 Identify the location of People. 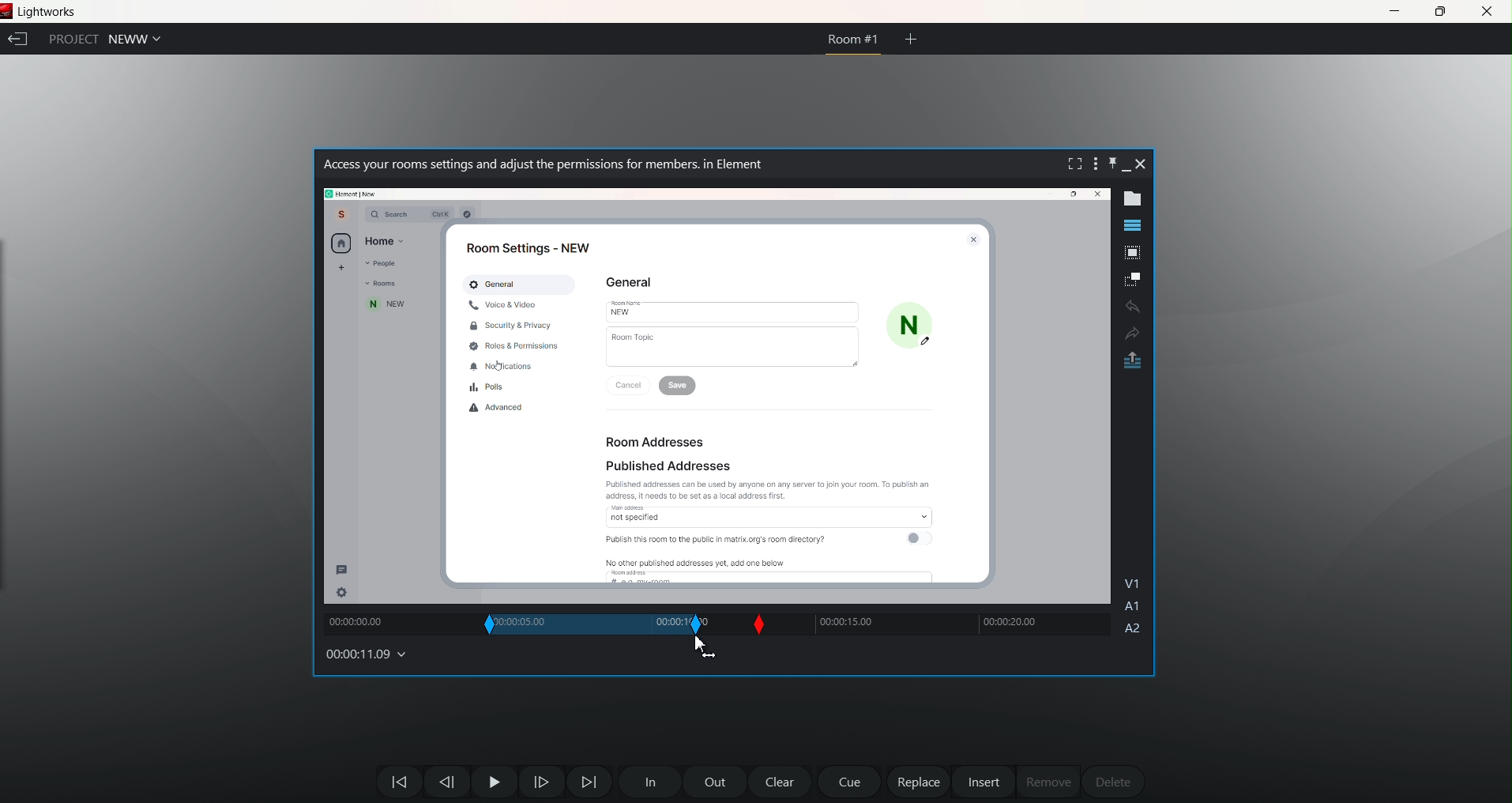
(382, 263).